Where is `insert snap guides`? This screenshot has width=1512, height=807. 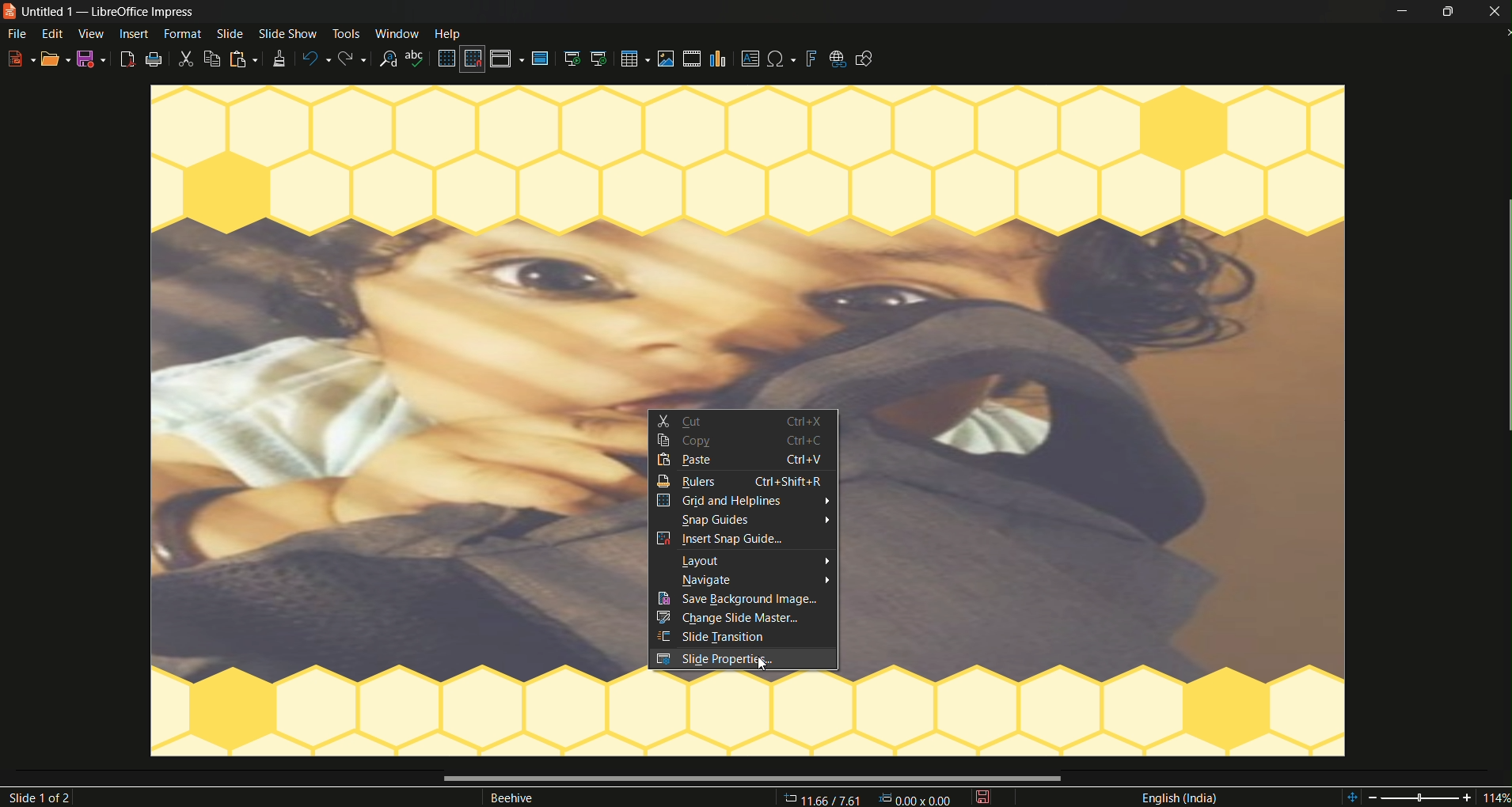
insert snap guides is located at coordinates (720, 539).